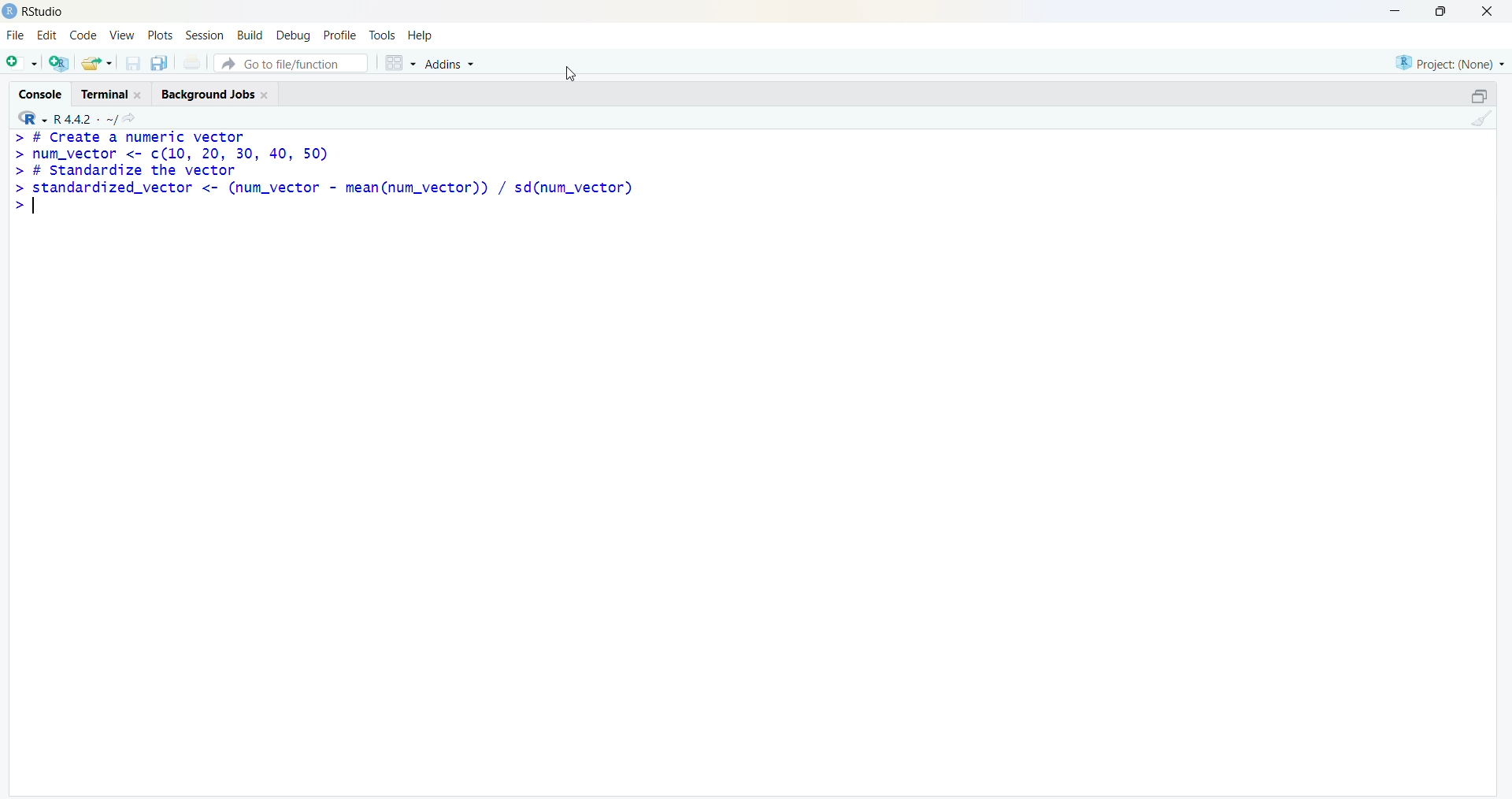 This screenshot has width=1512, height=799. I want to click on debug, so click(295, 36).